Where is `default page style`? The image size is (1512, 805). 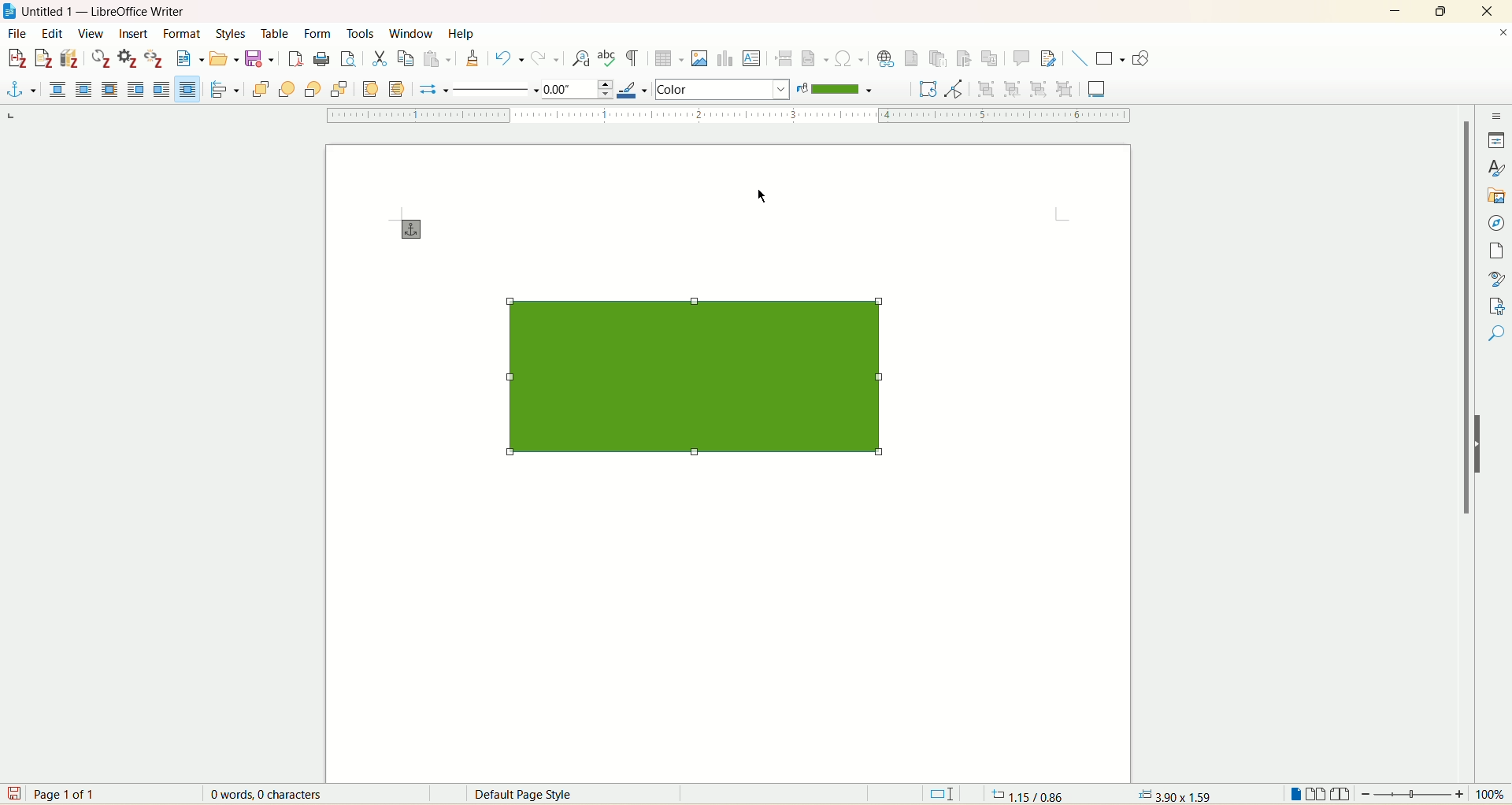 default page style is located at coordinates (537, 794).